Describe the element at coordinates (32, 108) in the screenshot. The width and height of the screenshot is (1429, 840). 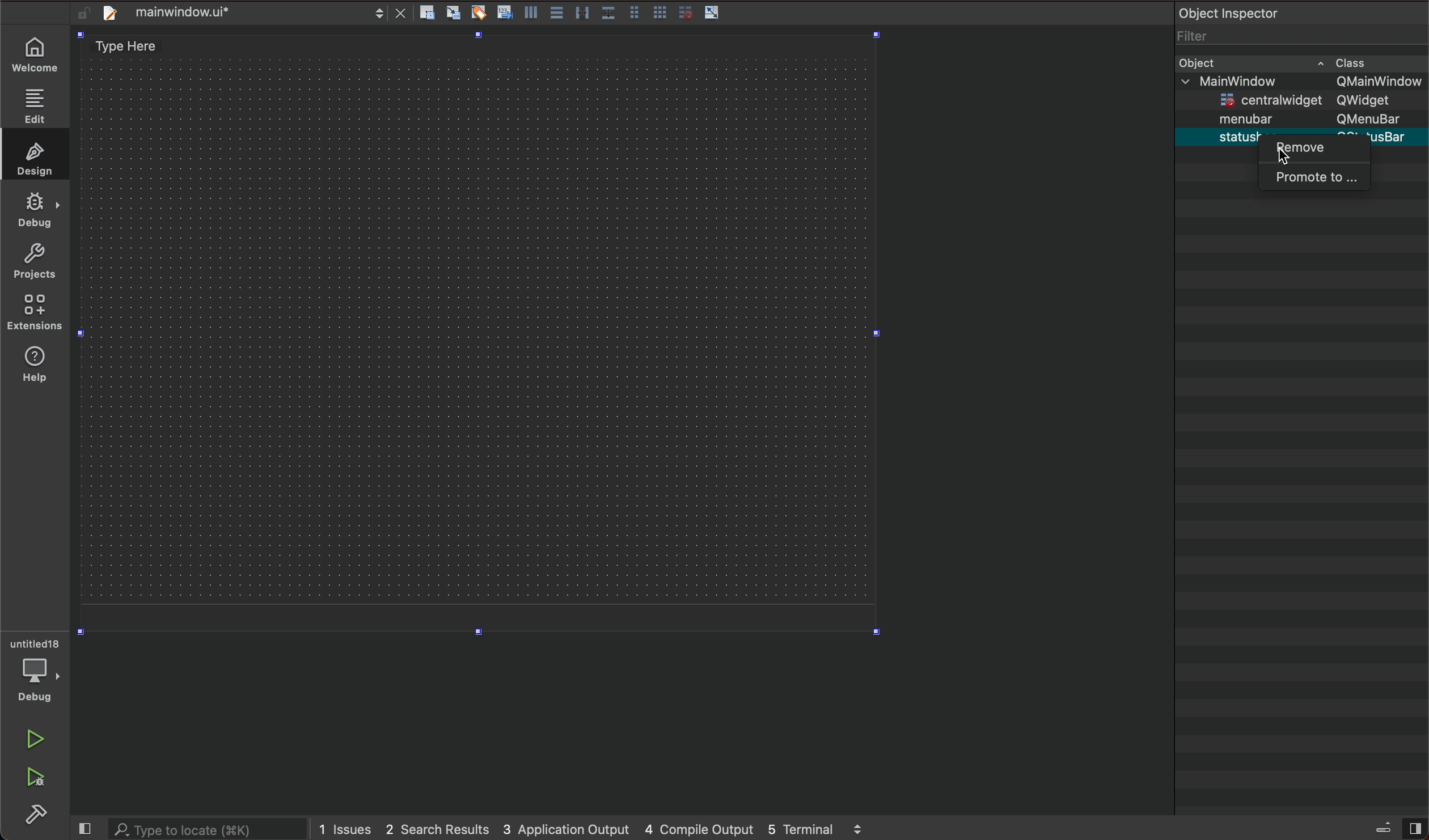
I see `edit` at that location.